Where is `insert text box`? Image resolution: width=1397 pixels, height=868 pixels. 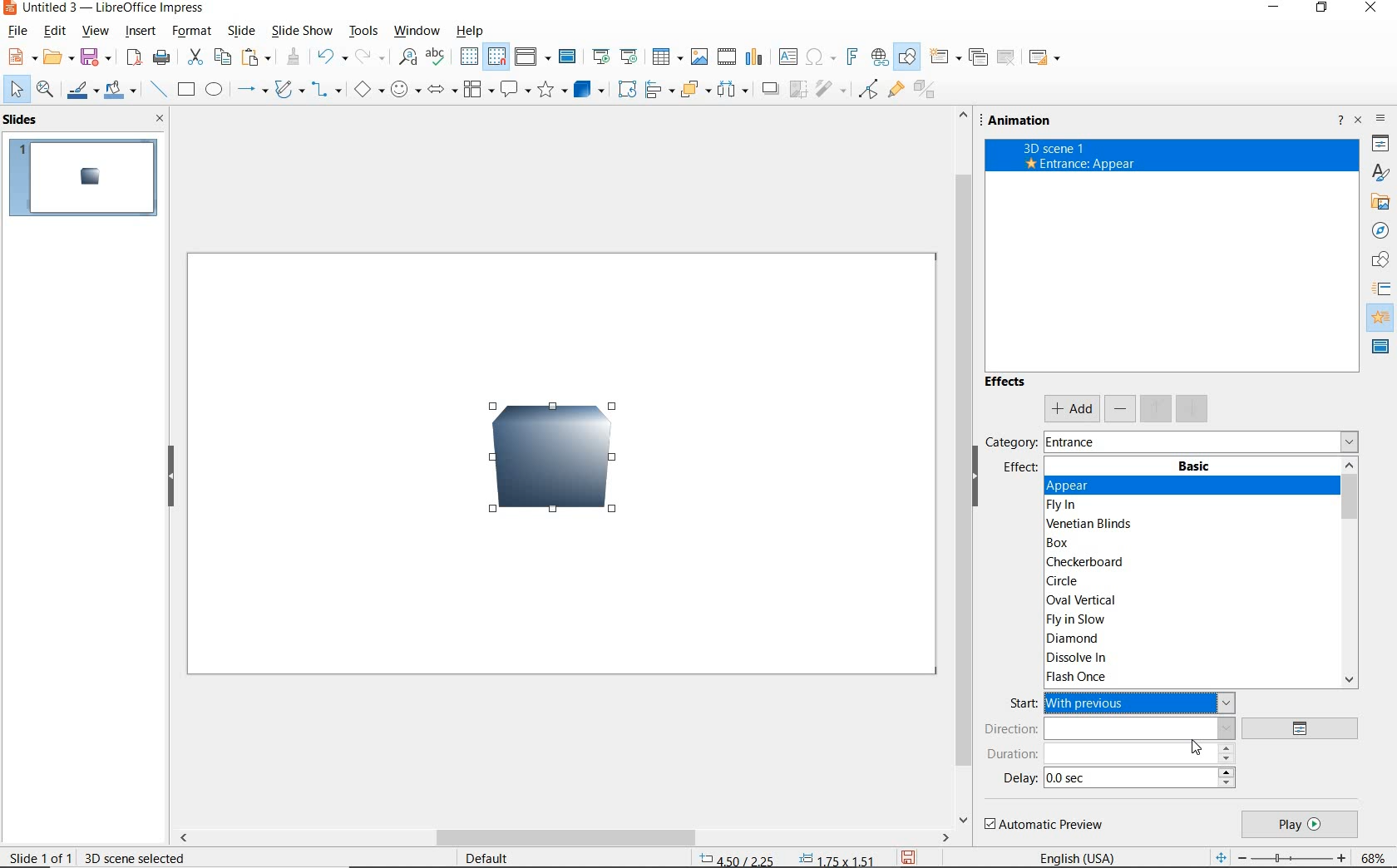 insert text box is located at coordinates (787, 57).